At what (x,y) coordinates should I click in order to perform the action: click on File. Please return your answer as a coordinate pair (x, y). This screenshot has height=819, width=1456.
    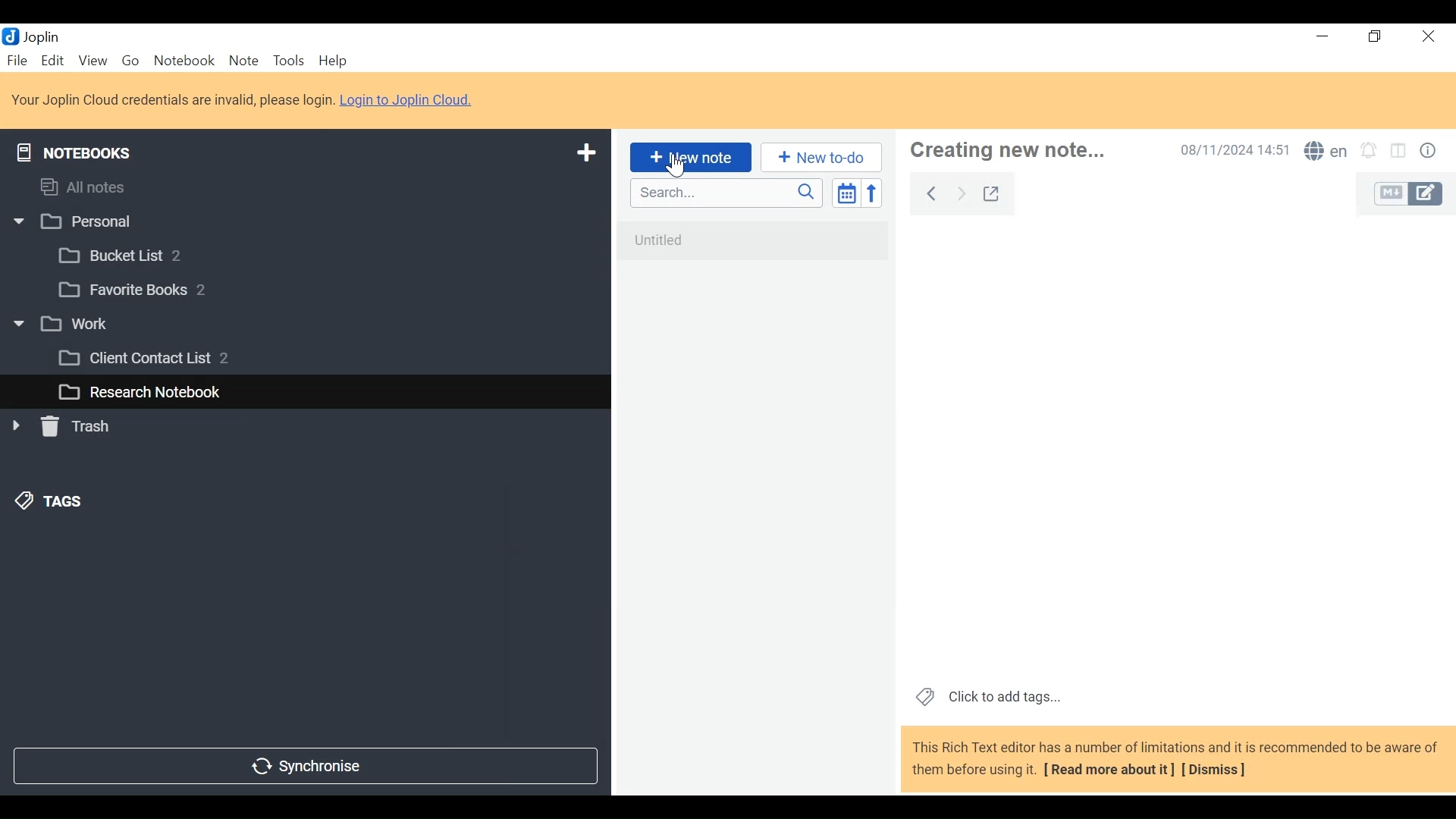
    Looking at the image, I should click on (19, 60).